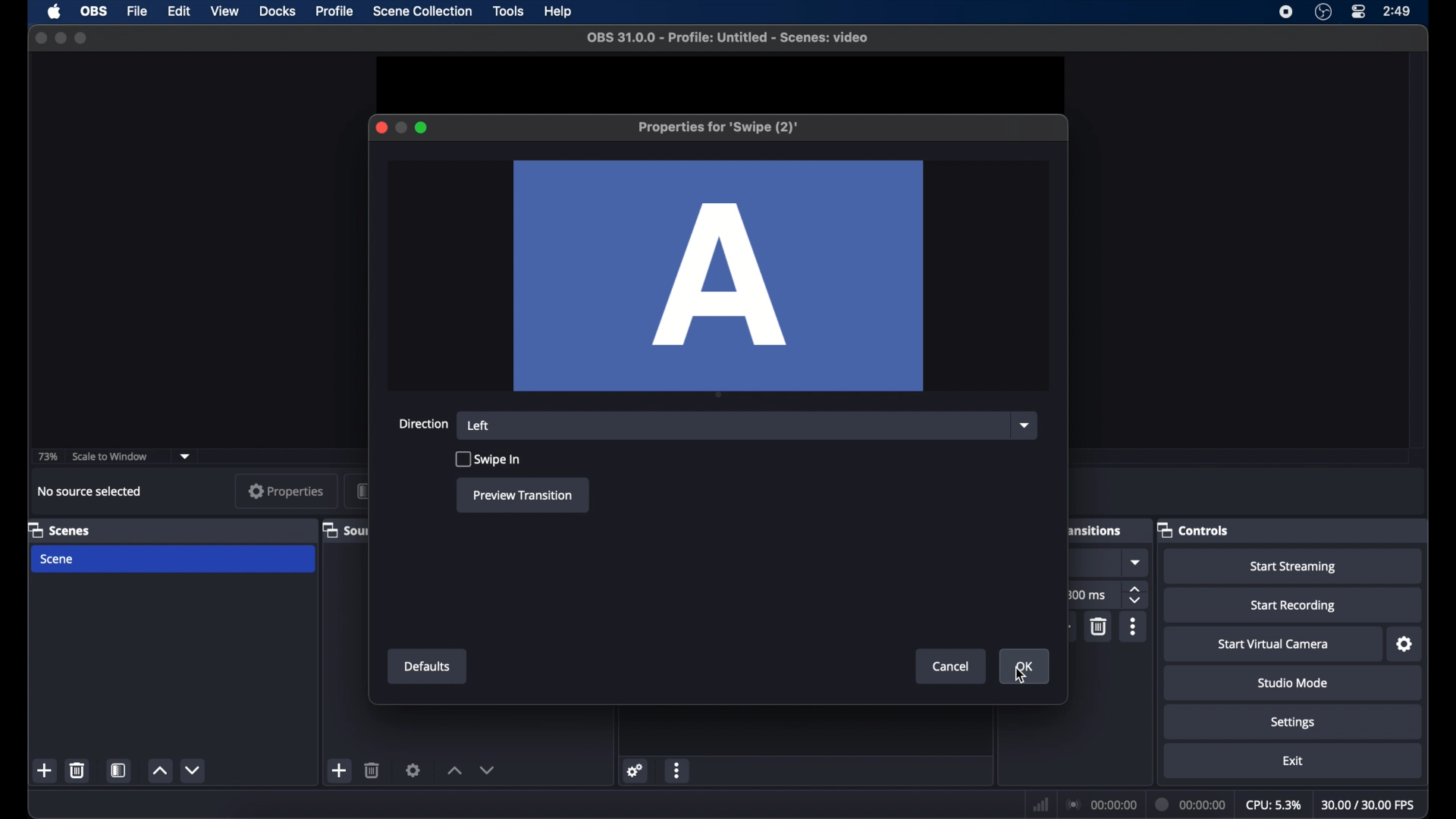  What do you see at coordinates (118, 771) in the screenshot?
I see `scene filters` at bounding box center [118, 771].